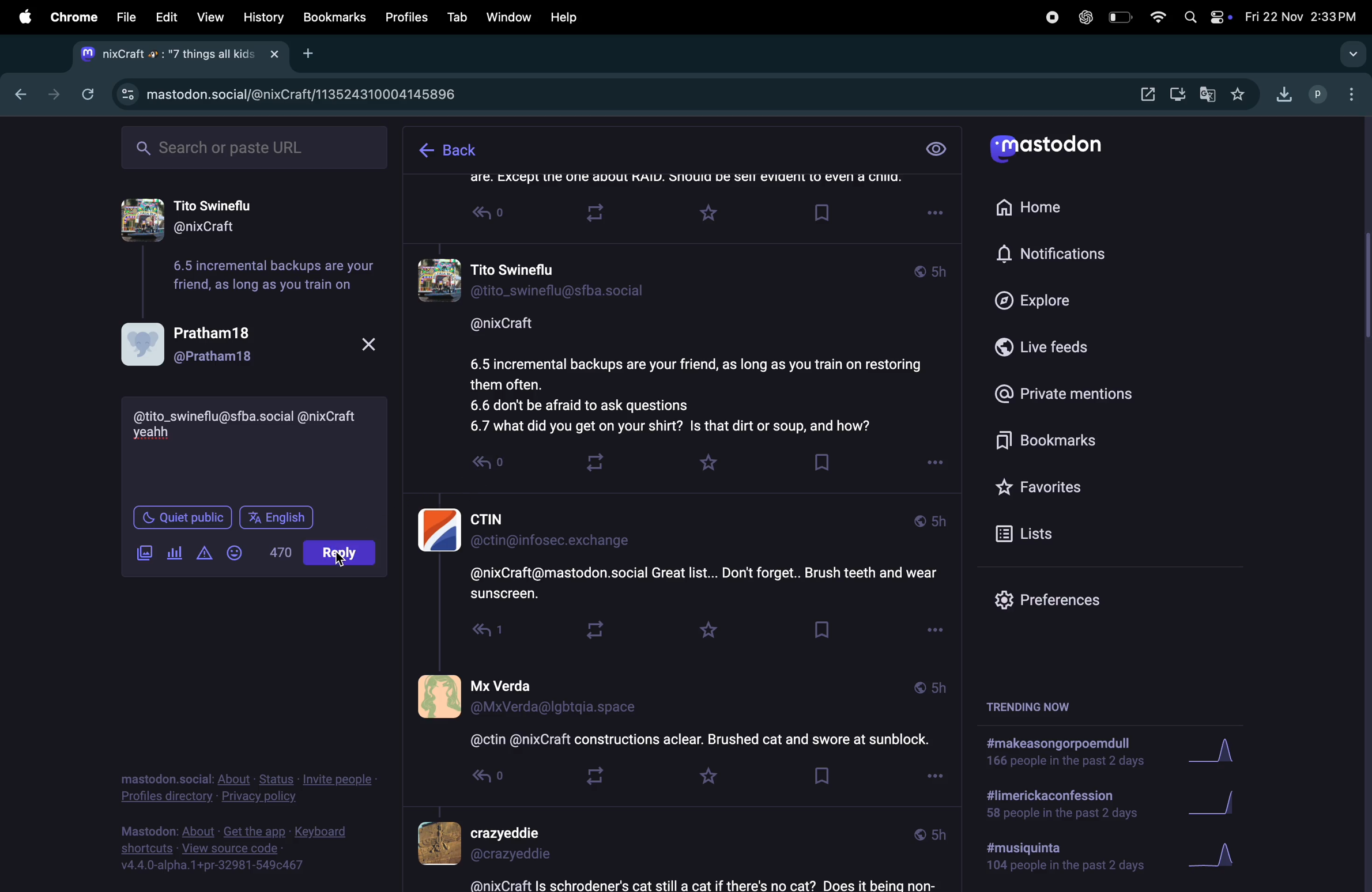 The image size is (1372, 892). I want to click on search bar, so click(254, 149).